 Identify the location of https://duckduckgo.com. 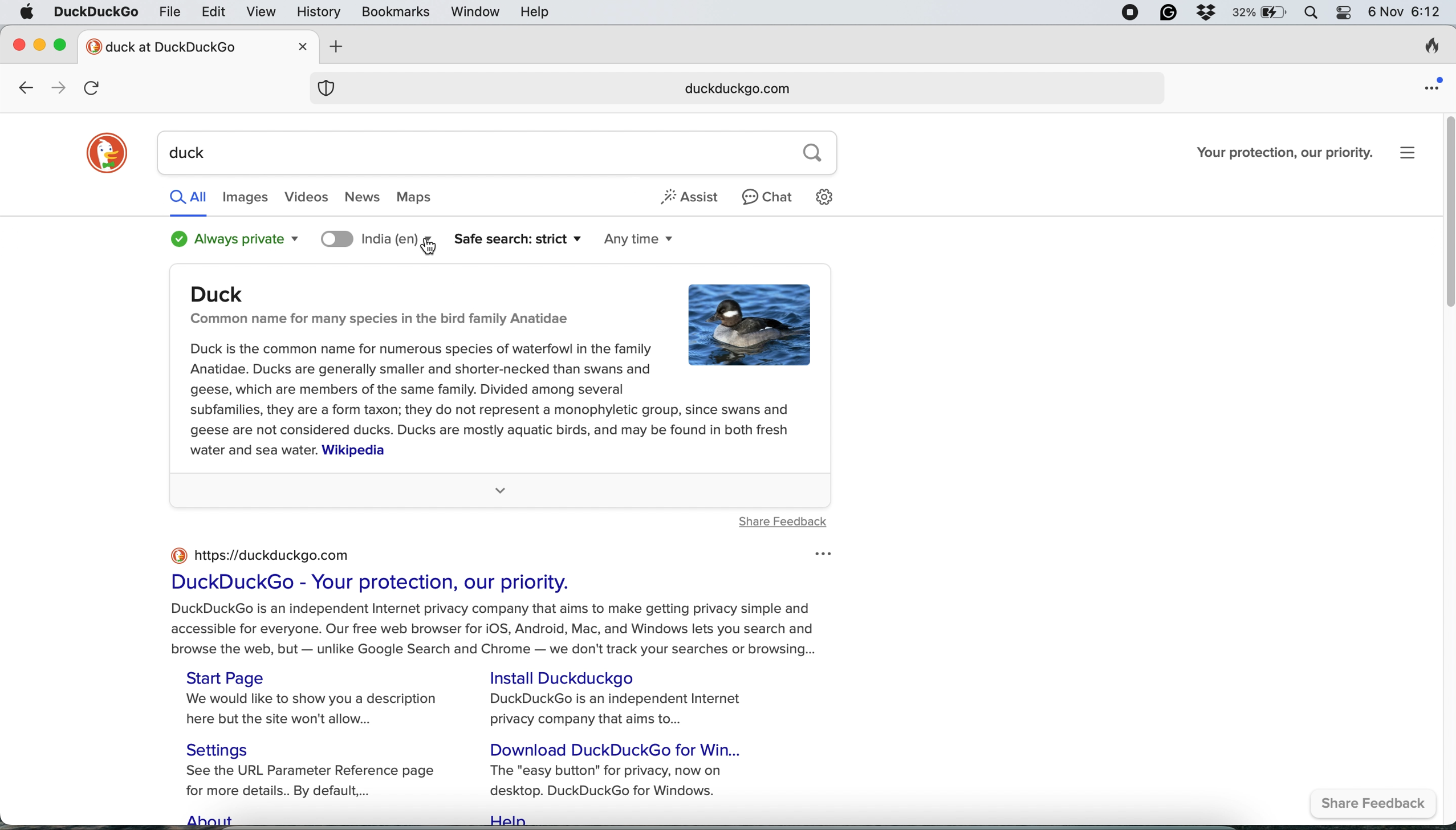
(274, 555).